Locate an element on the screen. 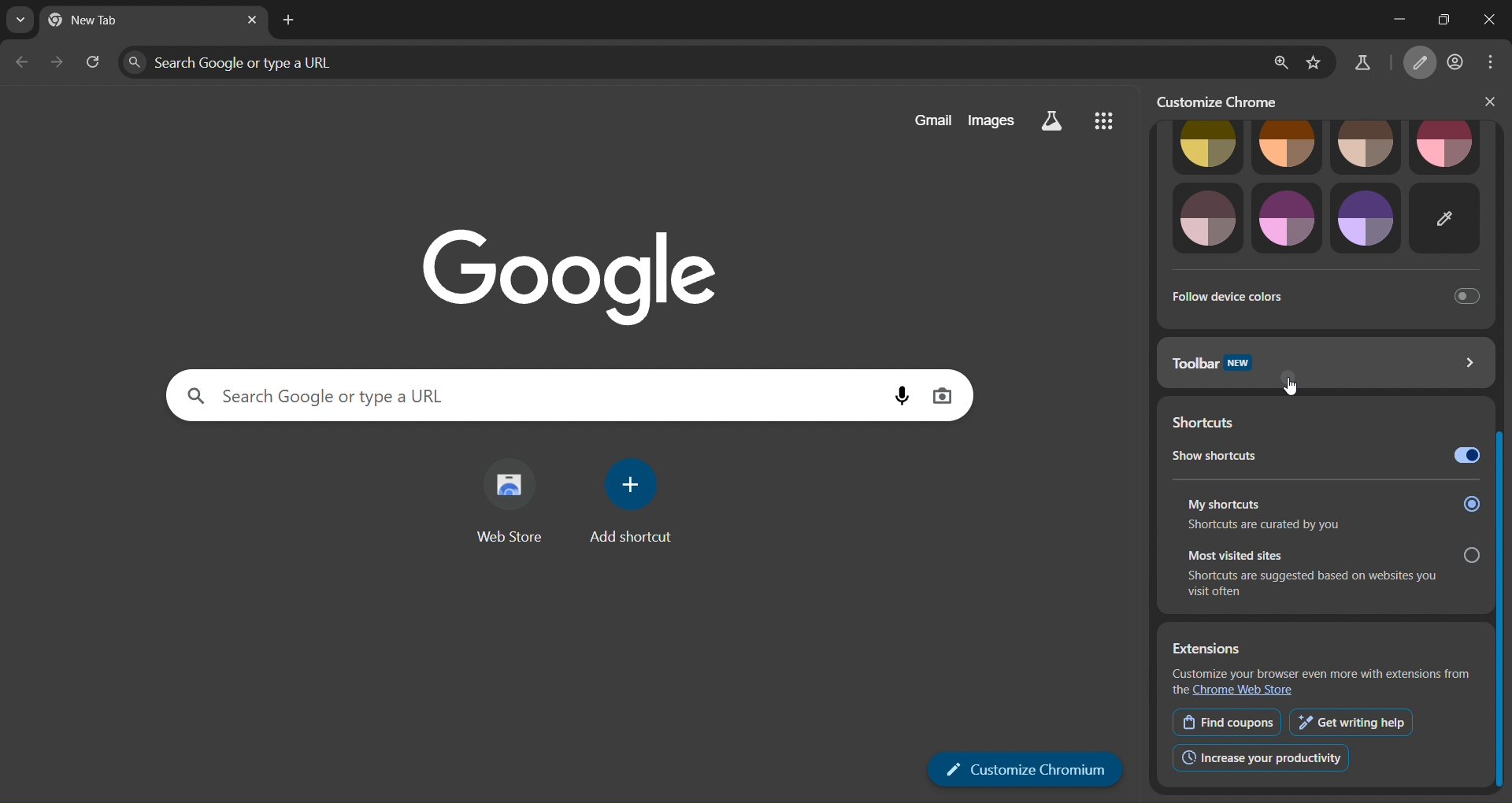  web store is located at coordinates (510, 506).